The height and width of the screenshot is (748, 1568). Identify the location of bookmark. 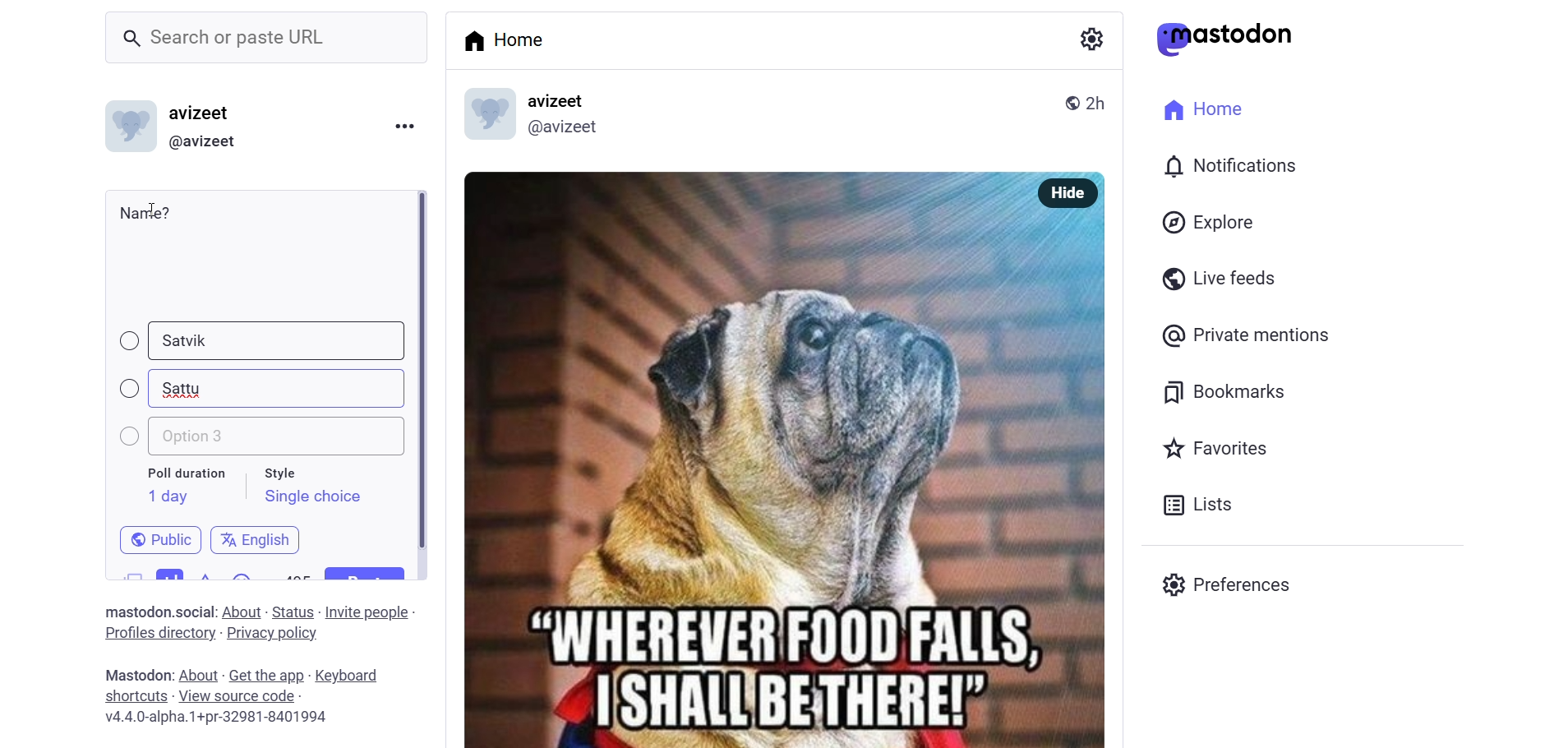
(1227, 390).